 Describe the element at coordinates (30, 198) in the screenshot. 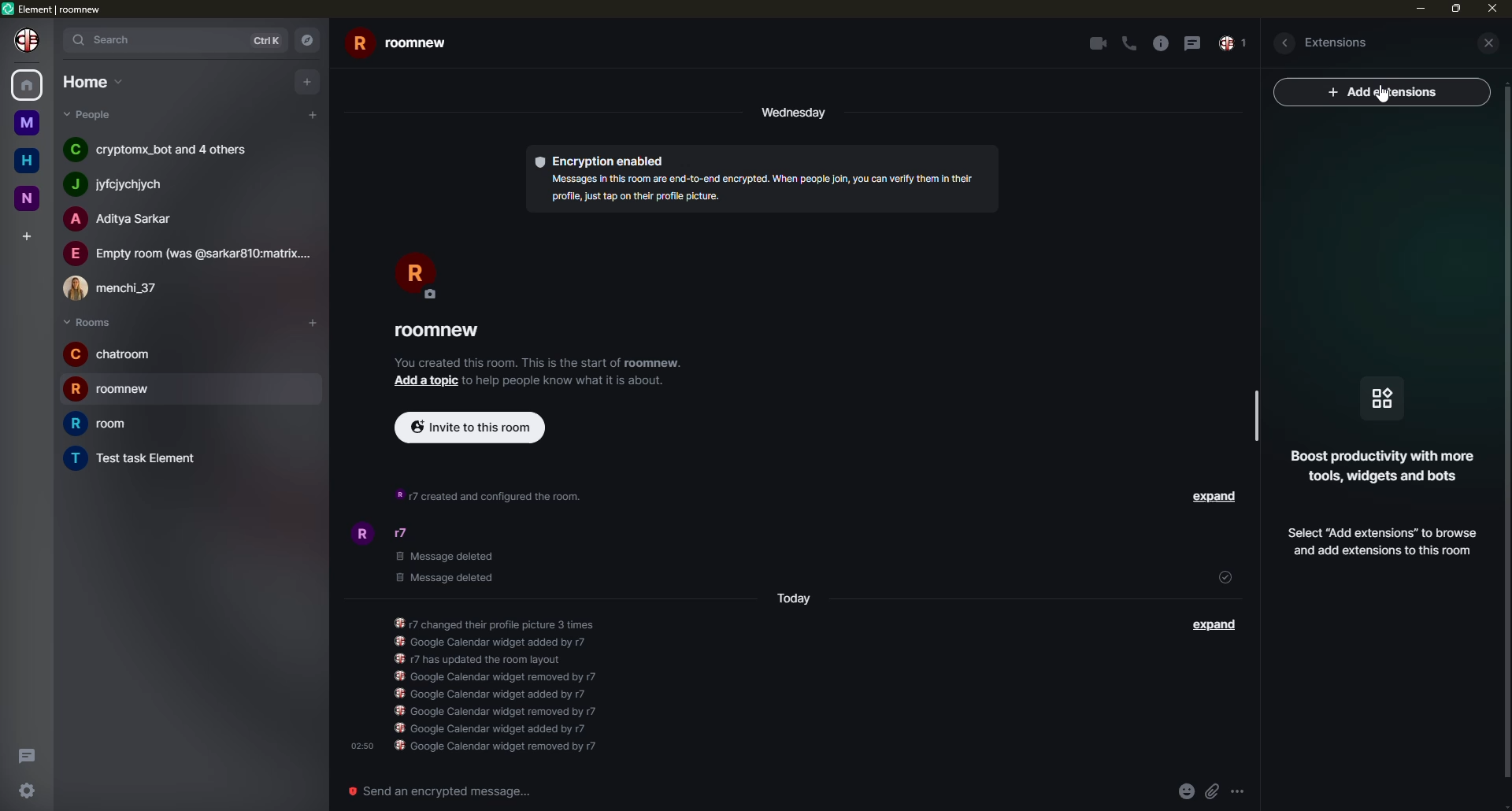

I see `room` at that location.